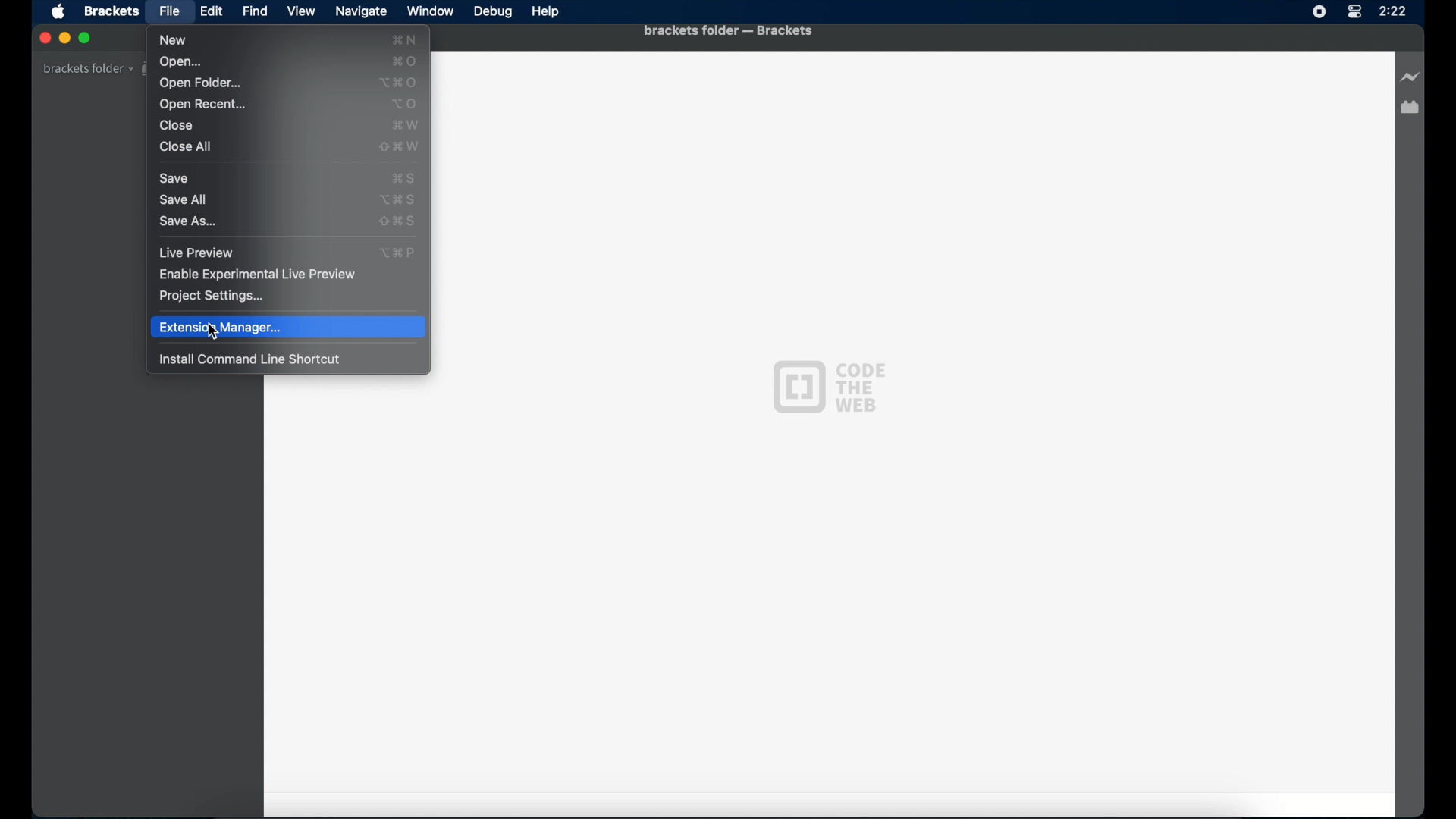 This screenshot has height=819, width=1456. Describe the element at coordinates (196, 253) in the screenshot. I see `live preview` at that location.